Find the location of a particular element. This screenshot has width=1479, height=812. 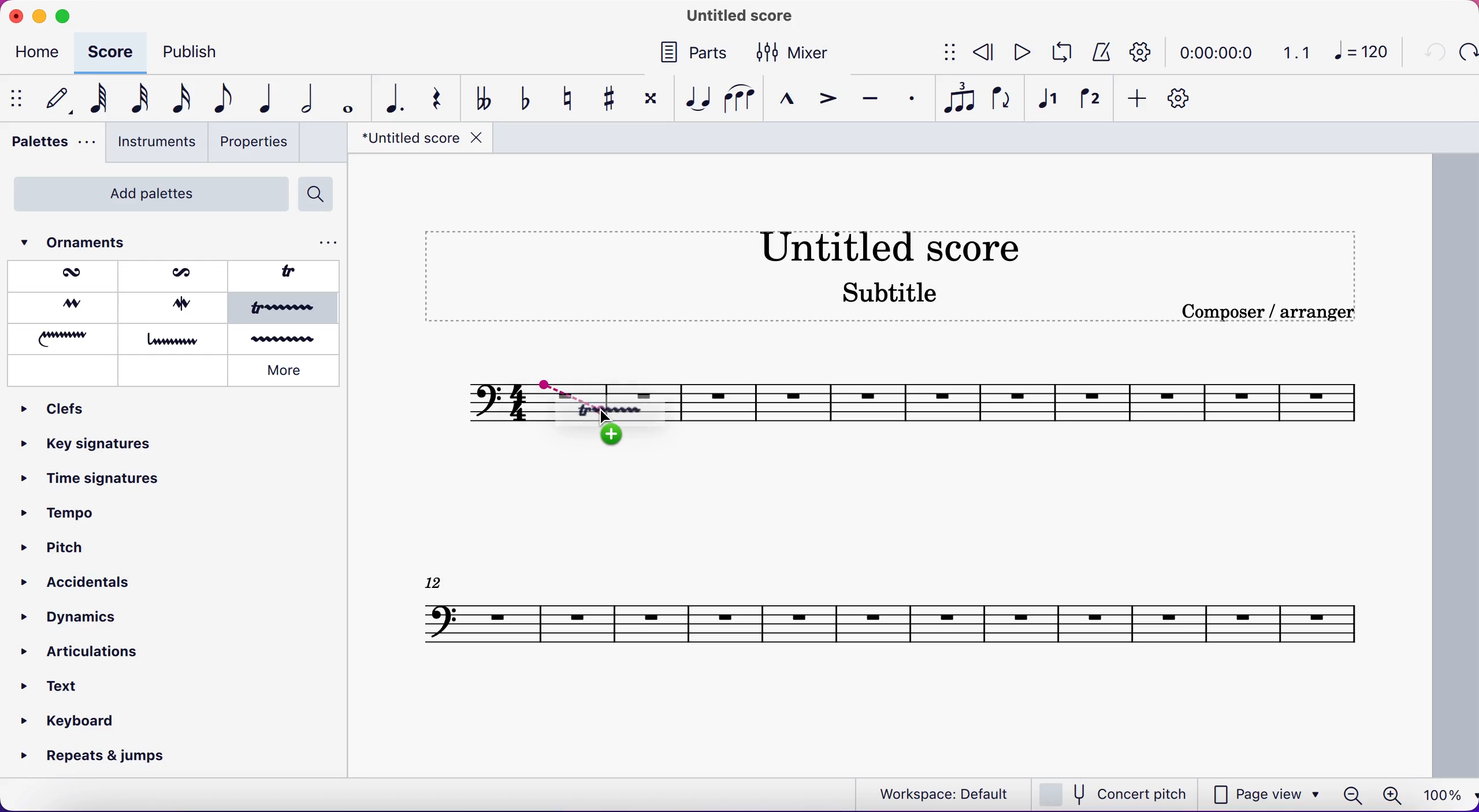

clefs is located at coordinates (66, 410).